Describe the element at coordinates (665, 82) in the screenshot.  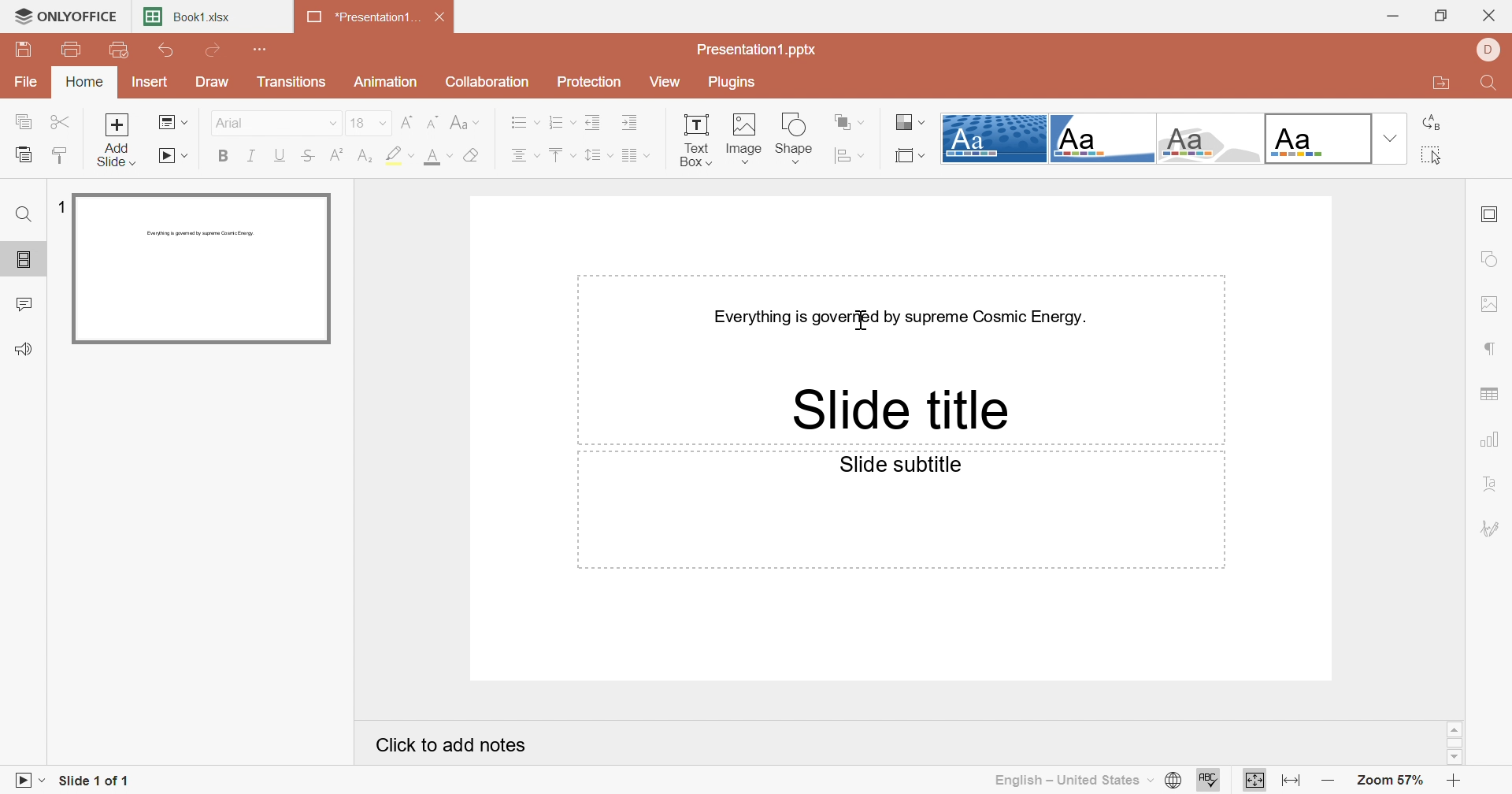
I see `View` at that location.